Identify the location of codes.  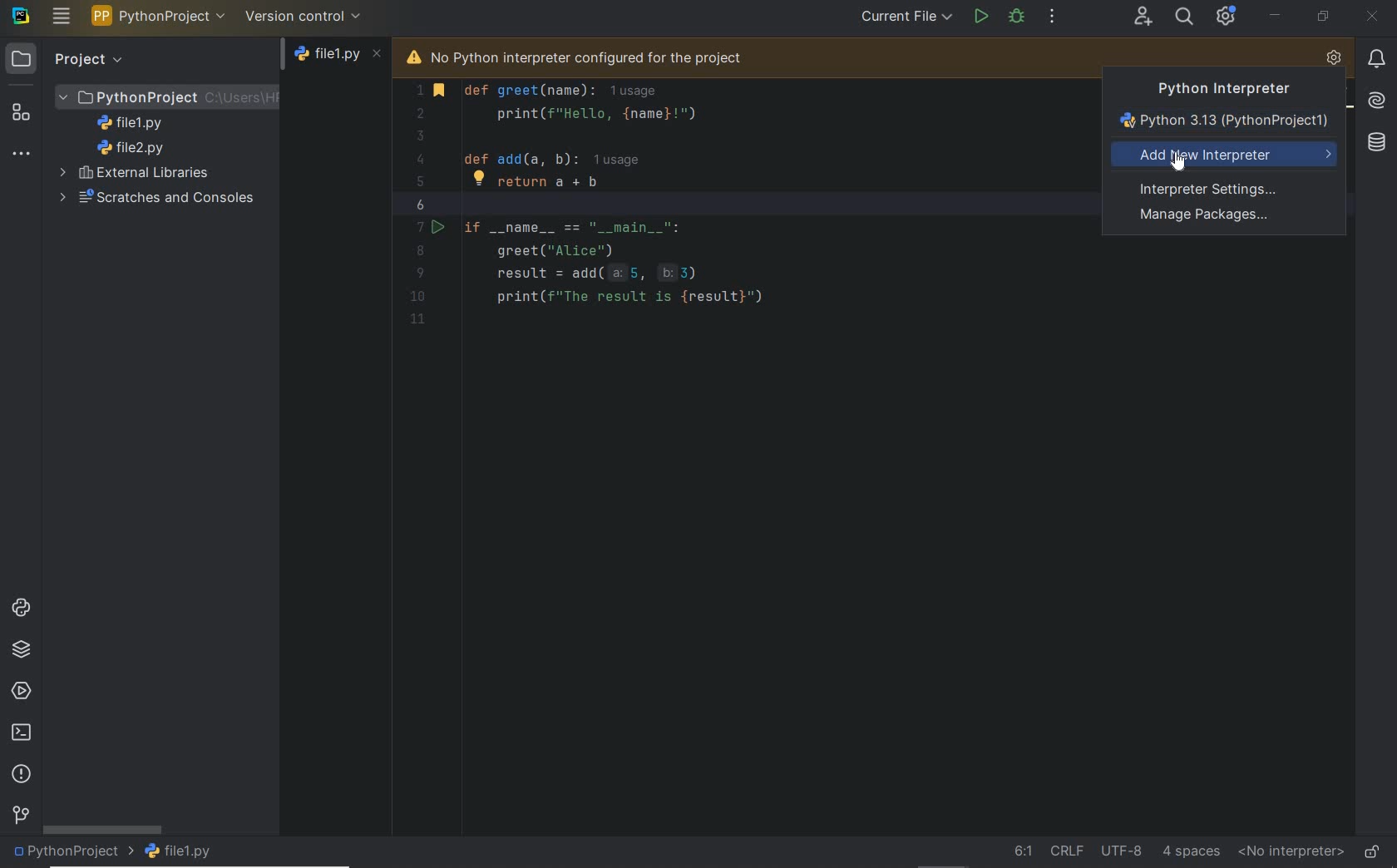
(733, 229).